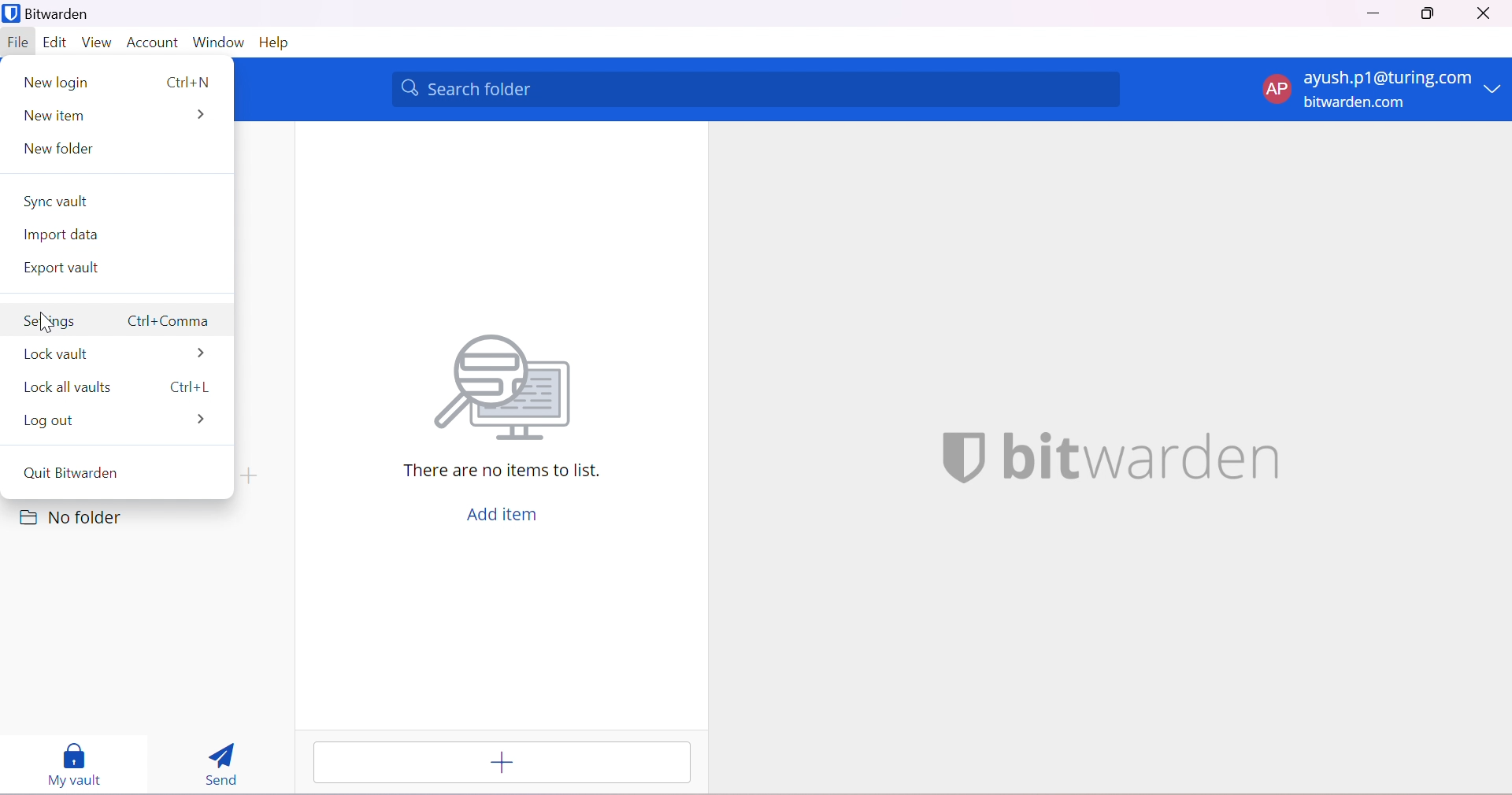 Image resolution: width=1512 pixels, height=795 pixels. Describe the element at coordinates (168, 320) in the screenshot. I see `Ctrl+Comma` at that location.